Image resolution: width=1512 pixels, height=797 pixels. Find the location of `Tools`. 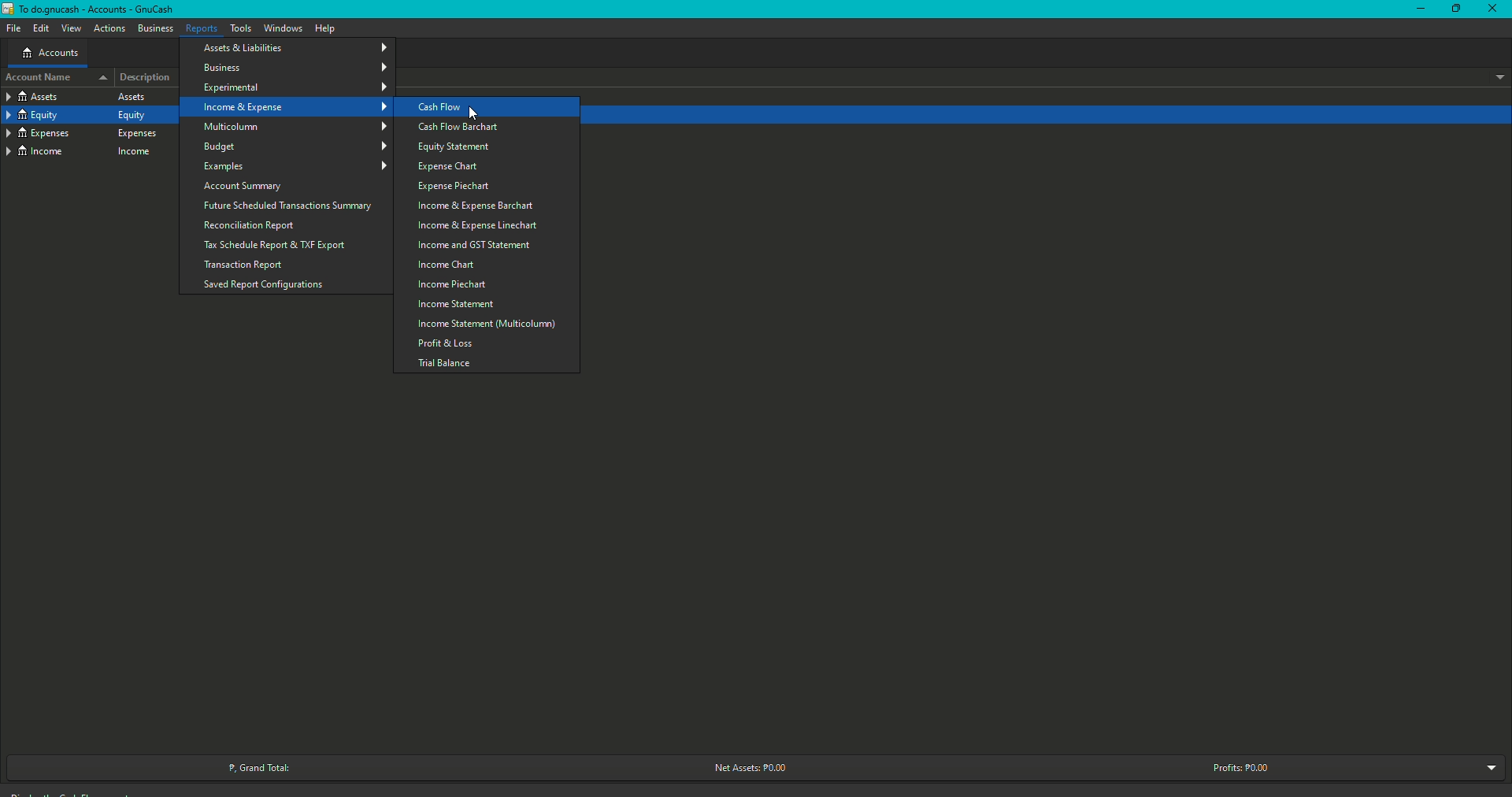

Tools is located at coordinates (243, 27).